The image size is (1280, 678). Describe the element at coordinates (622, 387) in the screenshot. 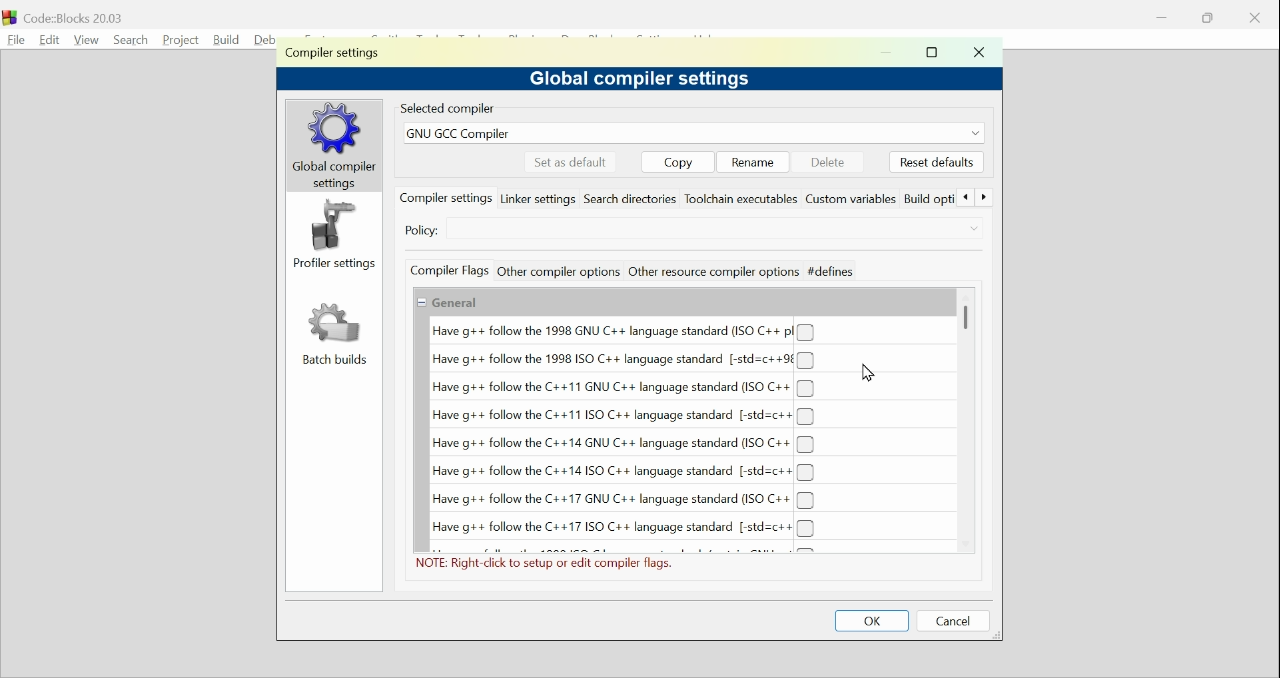

I see `(un)check Have g++follow the C++11 GNU C++ language standard (ISO C++` at that location.